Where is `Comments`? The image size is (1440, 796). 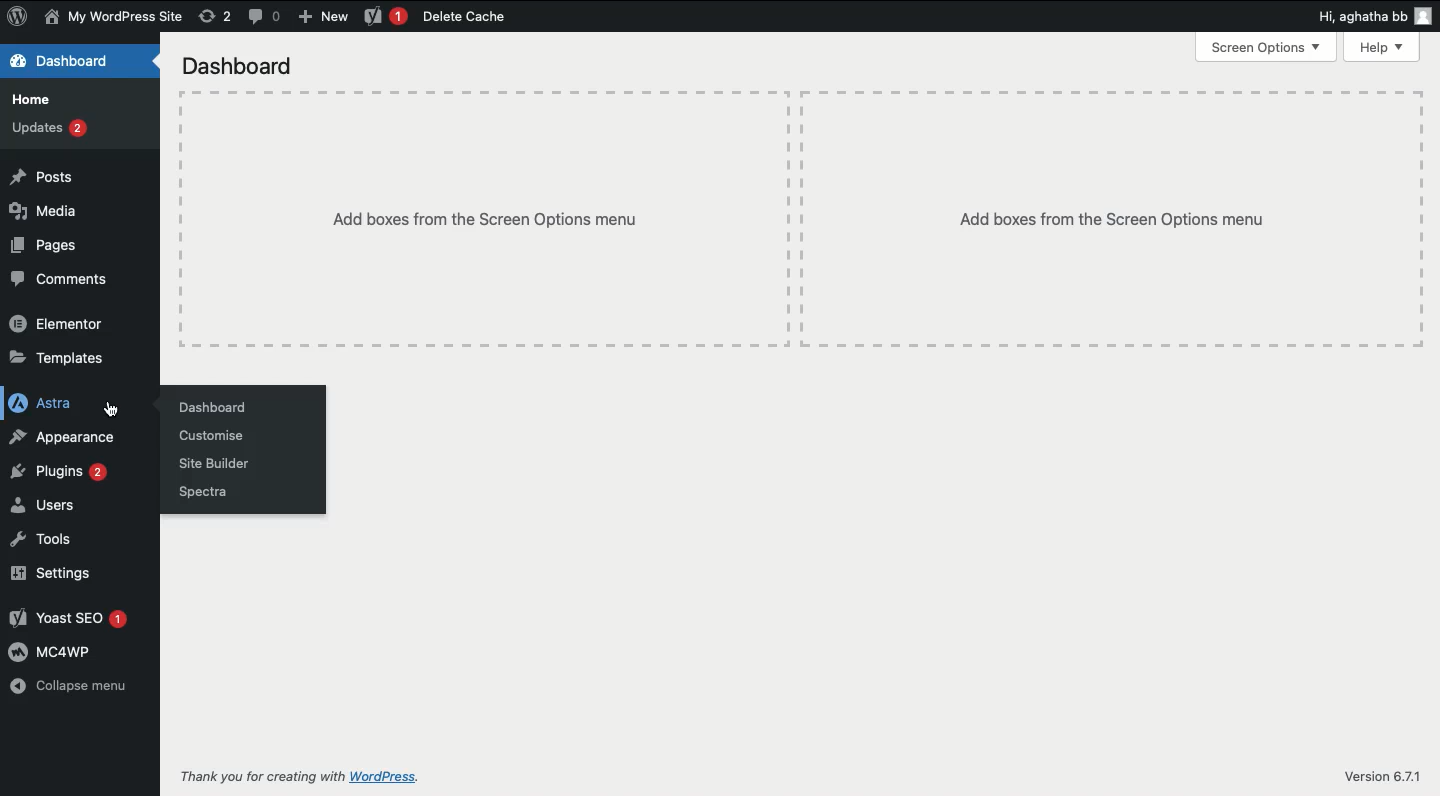 Comments is located at coordinates (63, 278).